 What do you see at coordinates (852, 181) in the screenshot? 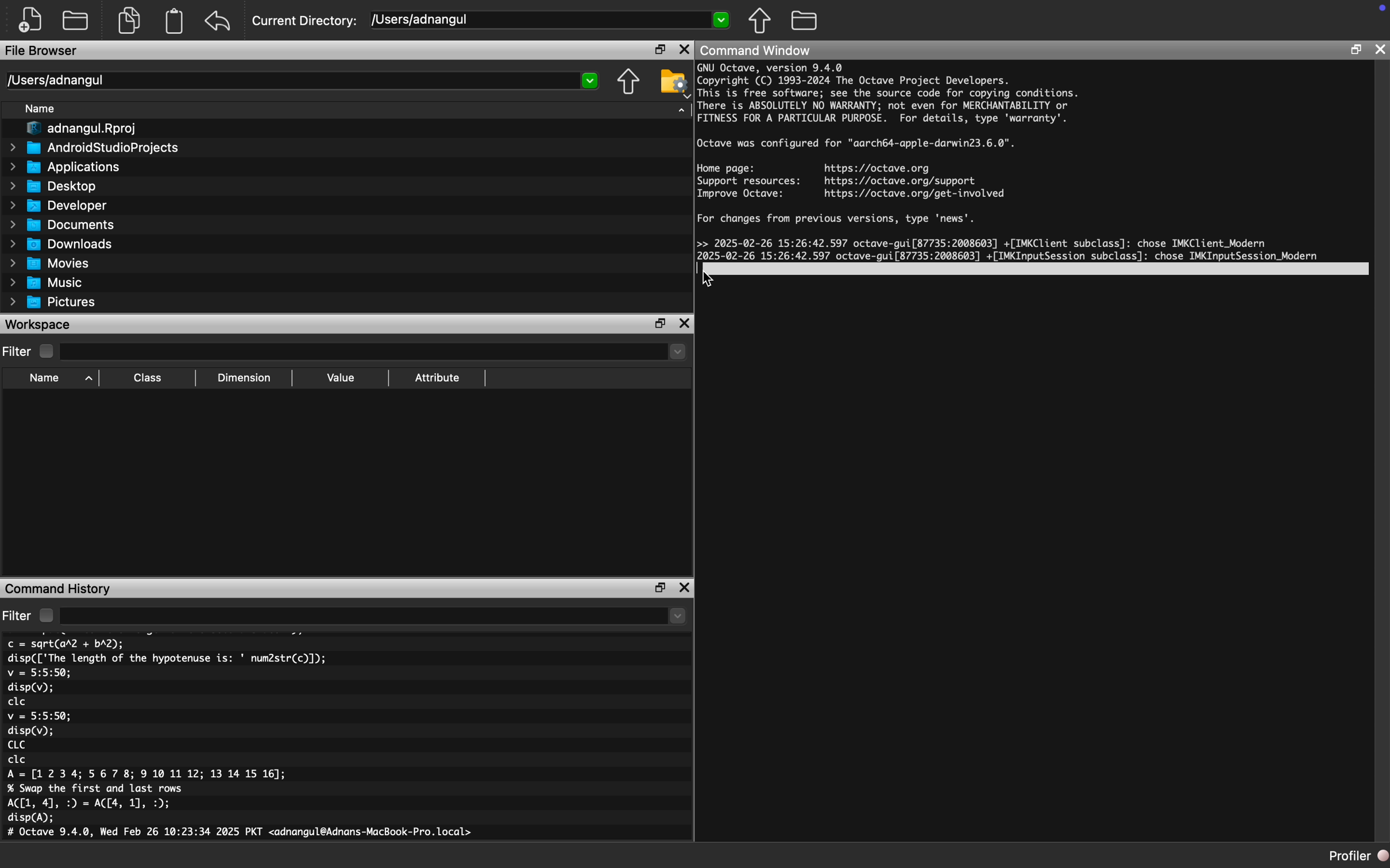
I see `Home page: https://octave.org
Support resources: https://octave.org/support
Improve Octave: https://octave.org/get-involved` at bounding box center [852, 181].